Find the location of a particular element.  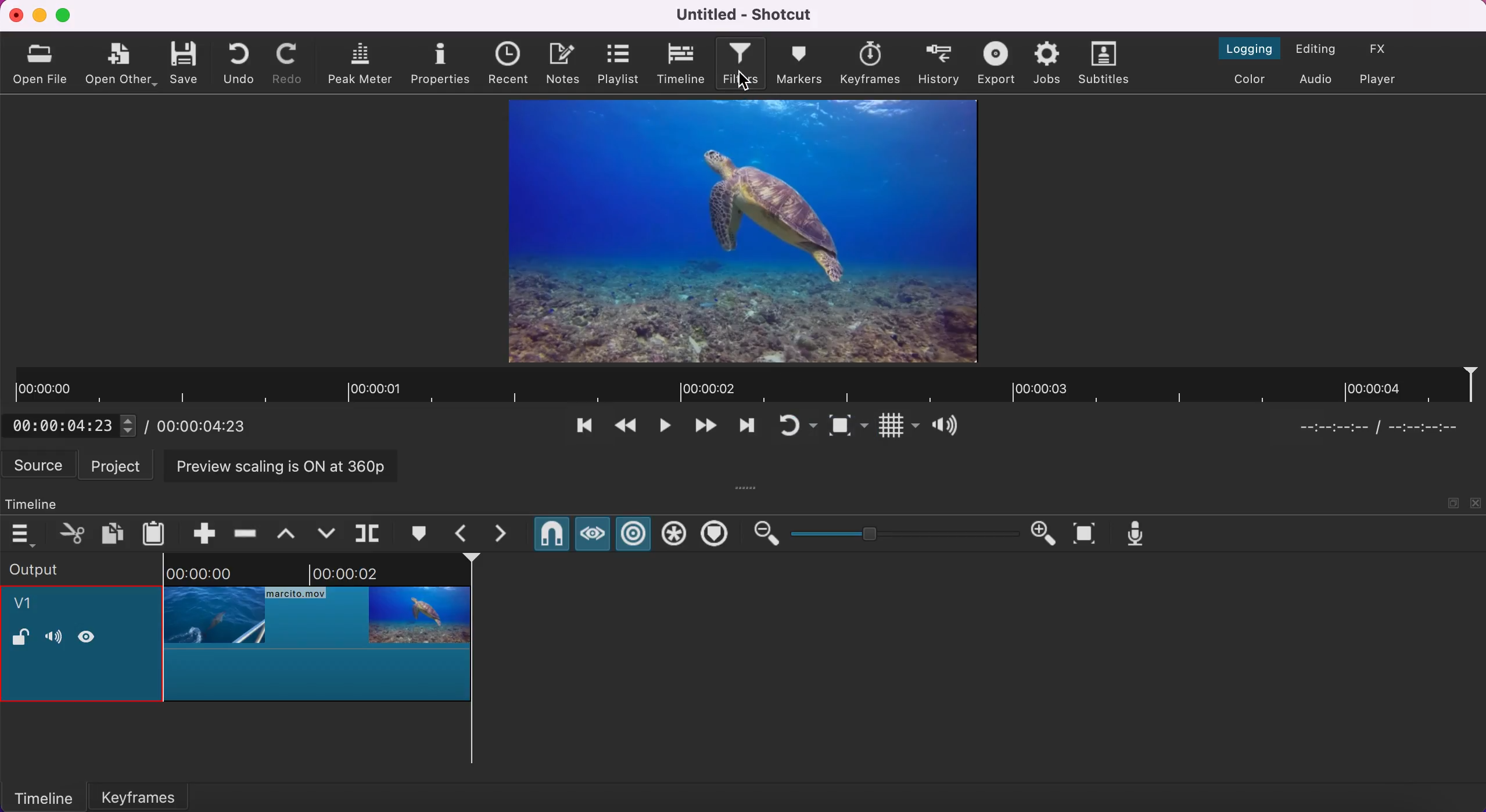

toggle play or pause is located at coordinates (665, 429).